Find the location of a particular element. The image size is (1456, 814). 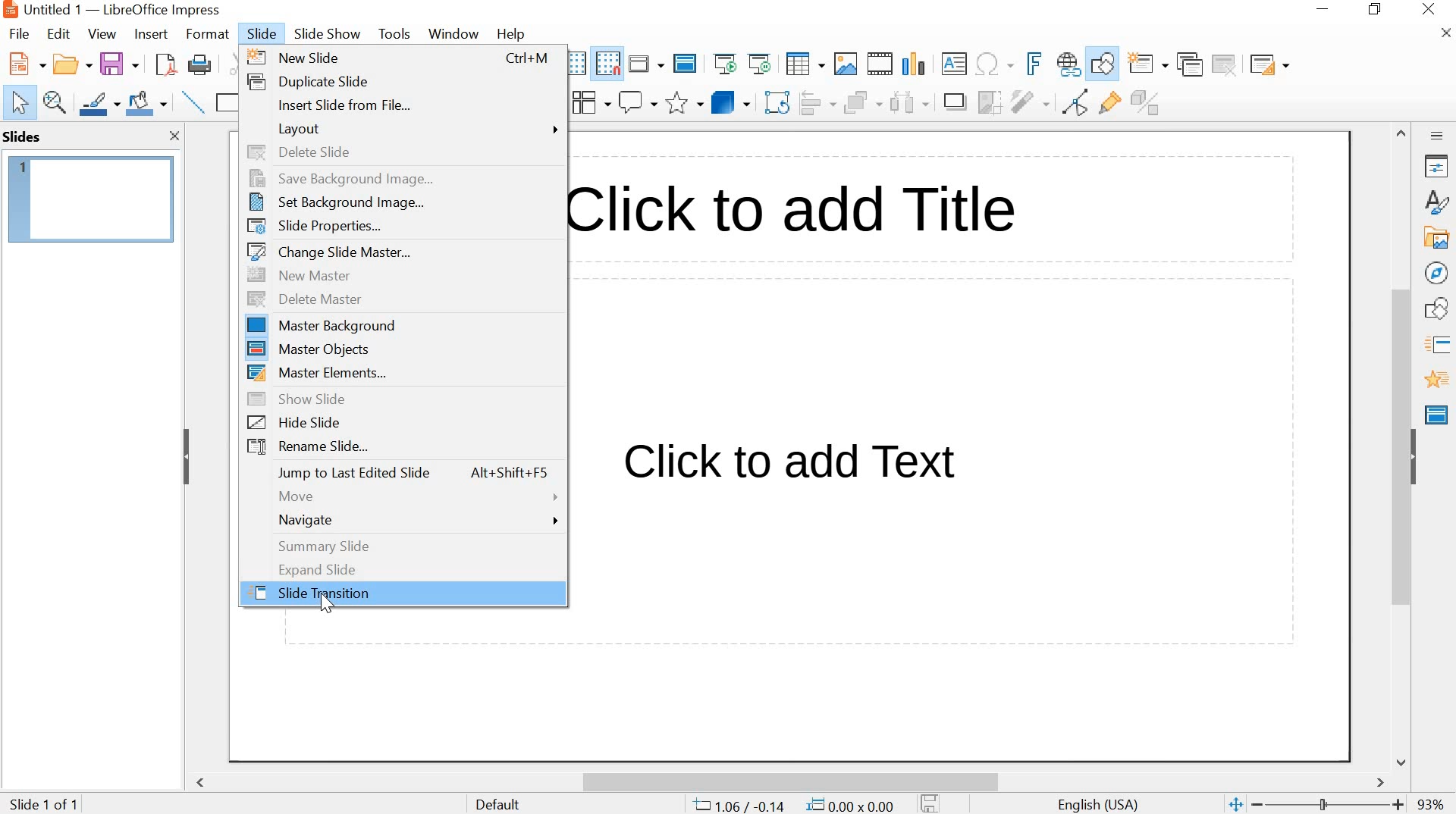

SCROLLBAR is located at coordinates (795, 778).